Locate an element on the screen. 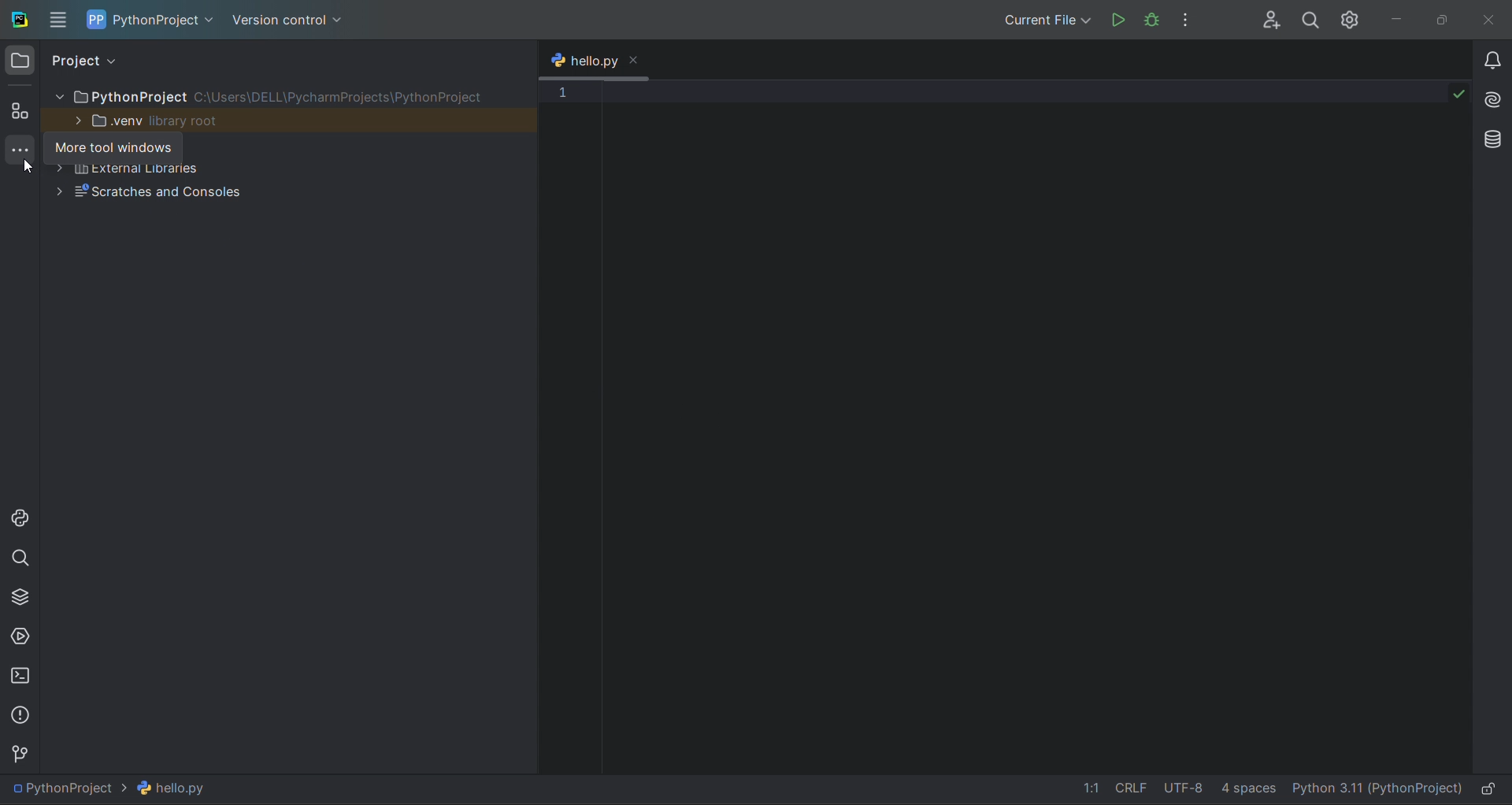  settings is located at coordinates (1352, 20).